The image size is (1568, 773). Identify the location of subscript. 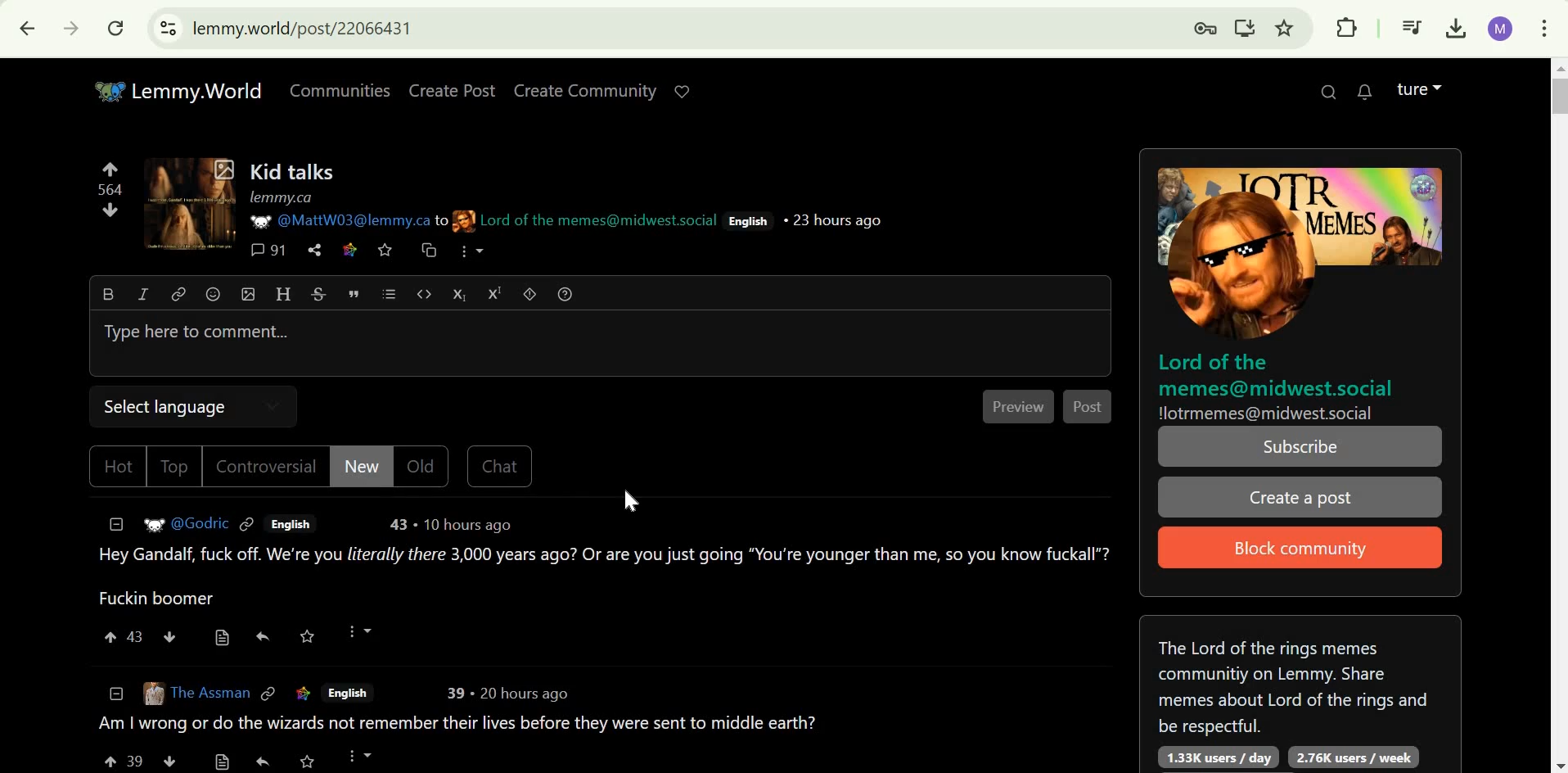
(456, 293).